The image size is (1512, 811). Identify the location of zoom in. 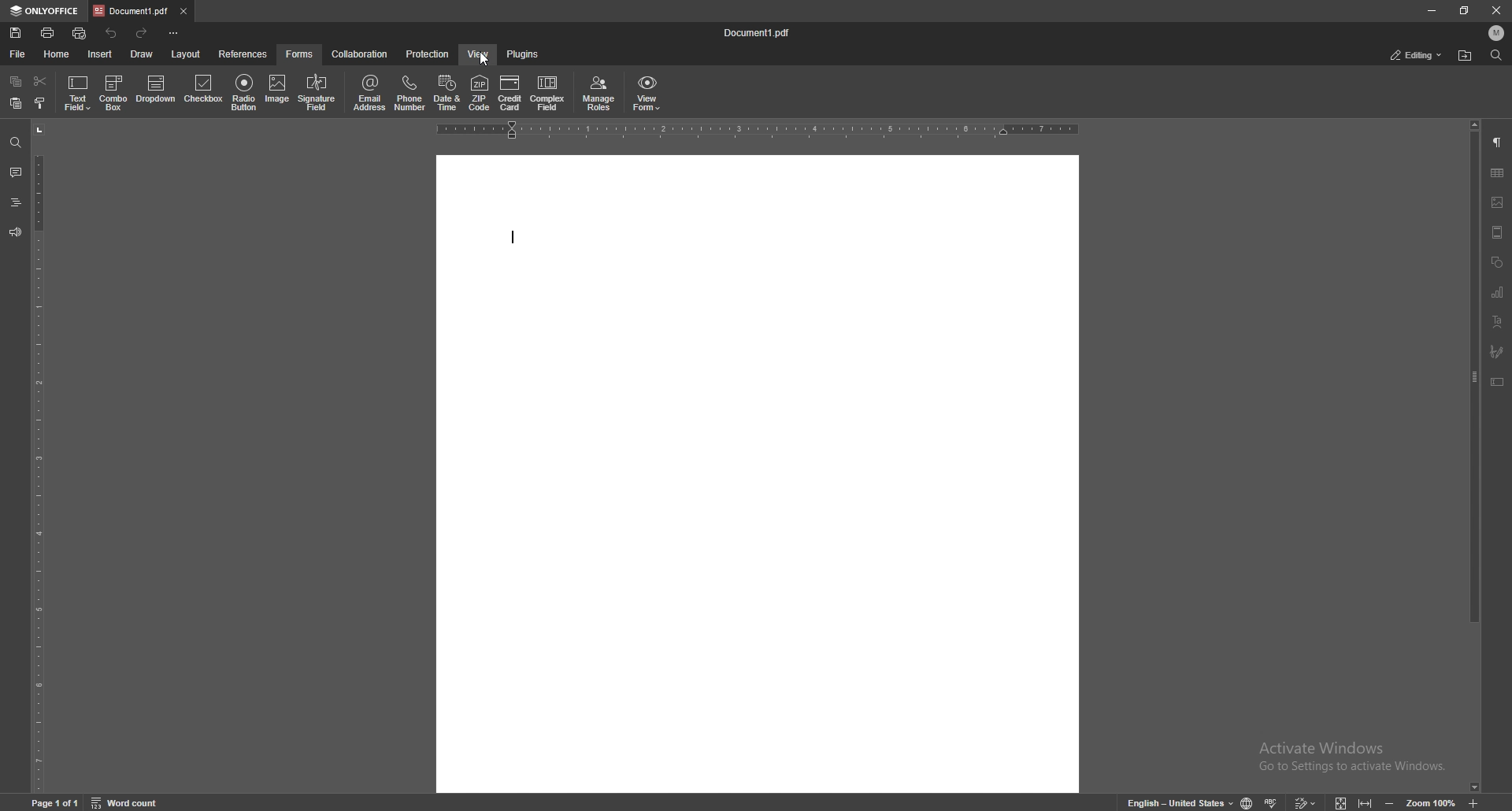
(1476, 802).